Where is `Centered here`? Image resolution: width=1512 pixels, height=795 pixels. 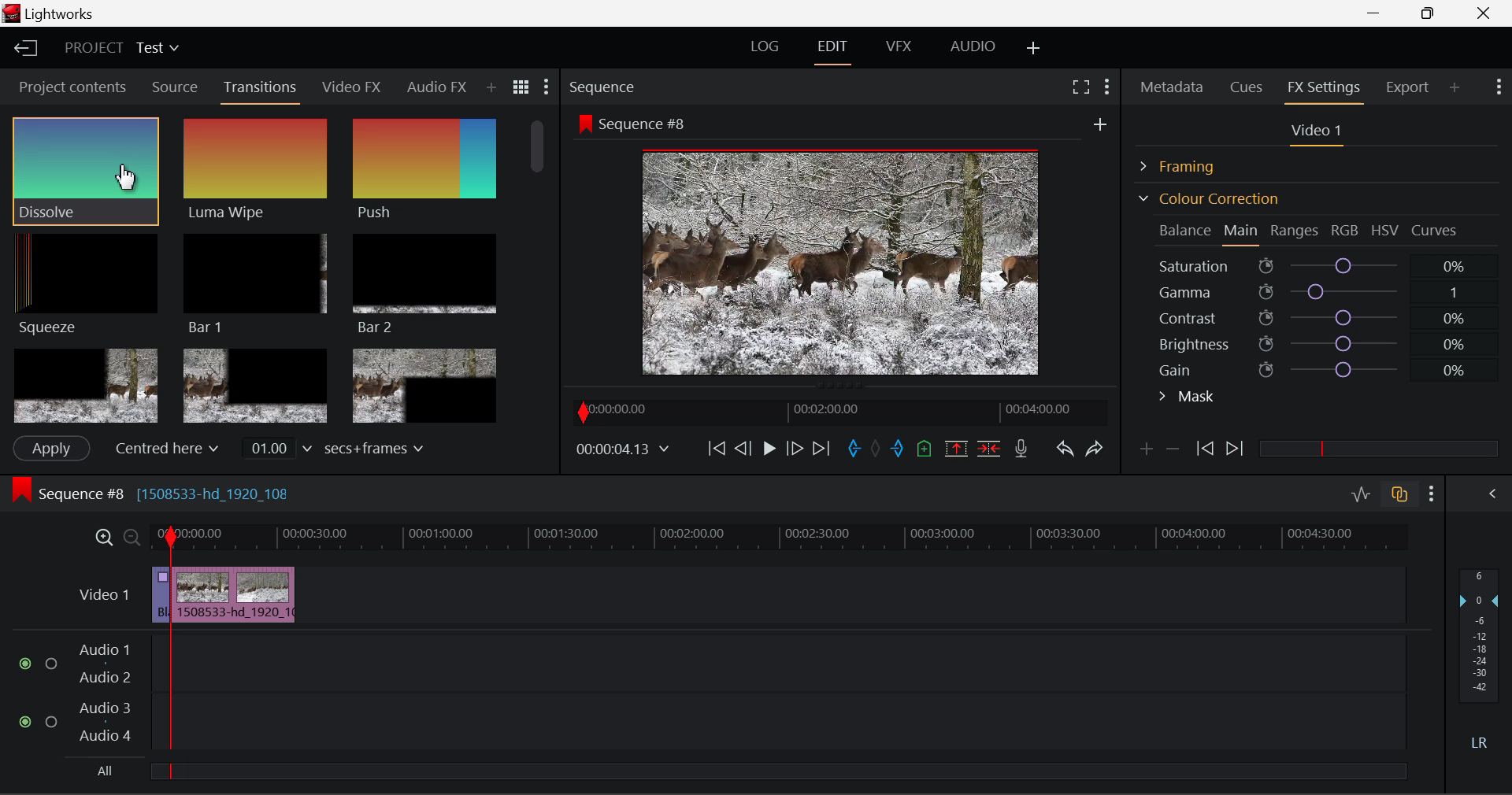 Centered here is located at coordinates (169, 448).